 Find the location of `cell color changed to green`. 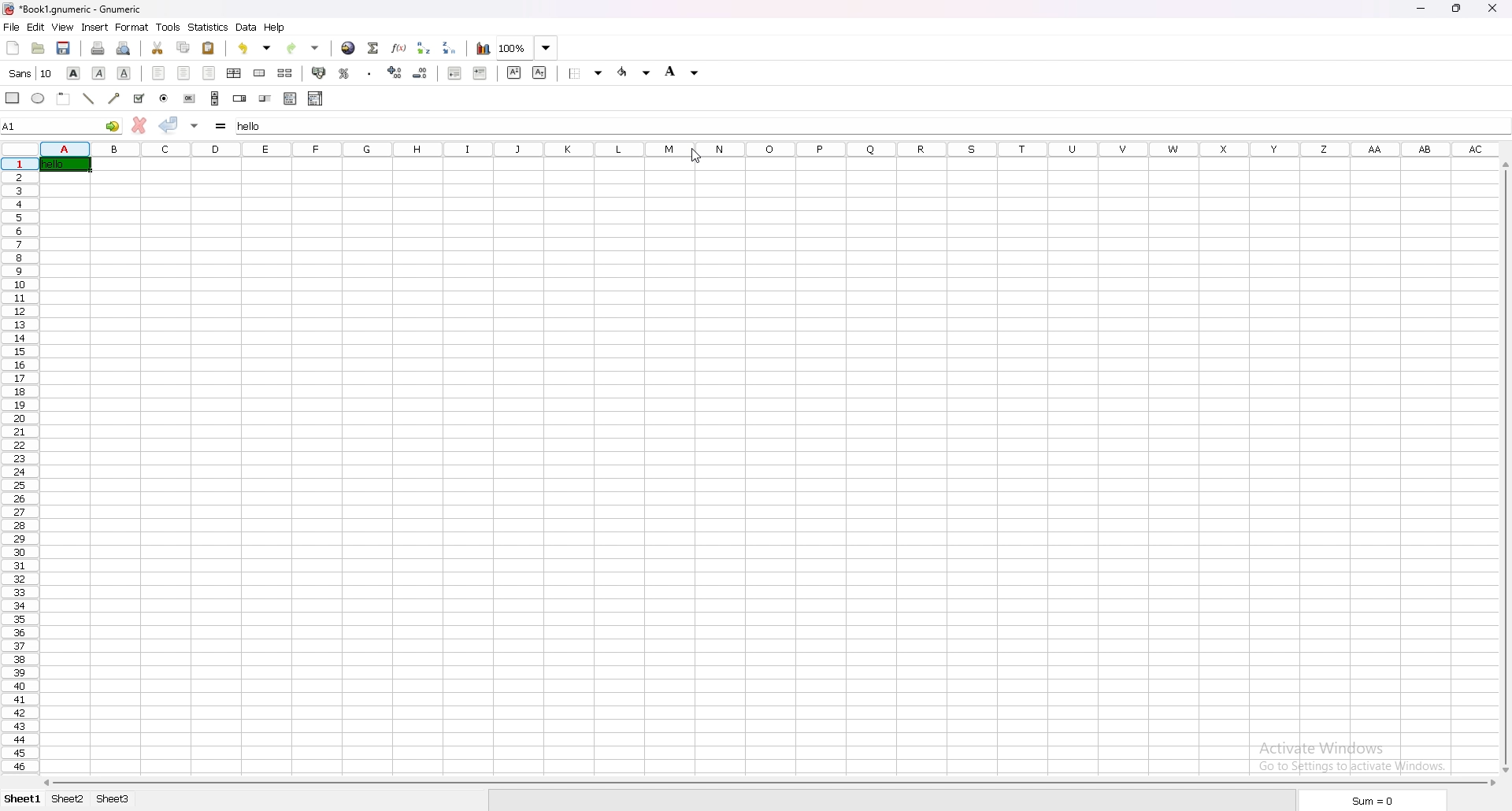

cell color changed to green is located at coordinates (65, 165).